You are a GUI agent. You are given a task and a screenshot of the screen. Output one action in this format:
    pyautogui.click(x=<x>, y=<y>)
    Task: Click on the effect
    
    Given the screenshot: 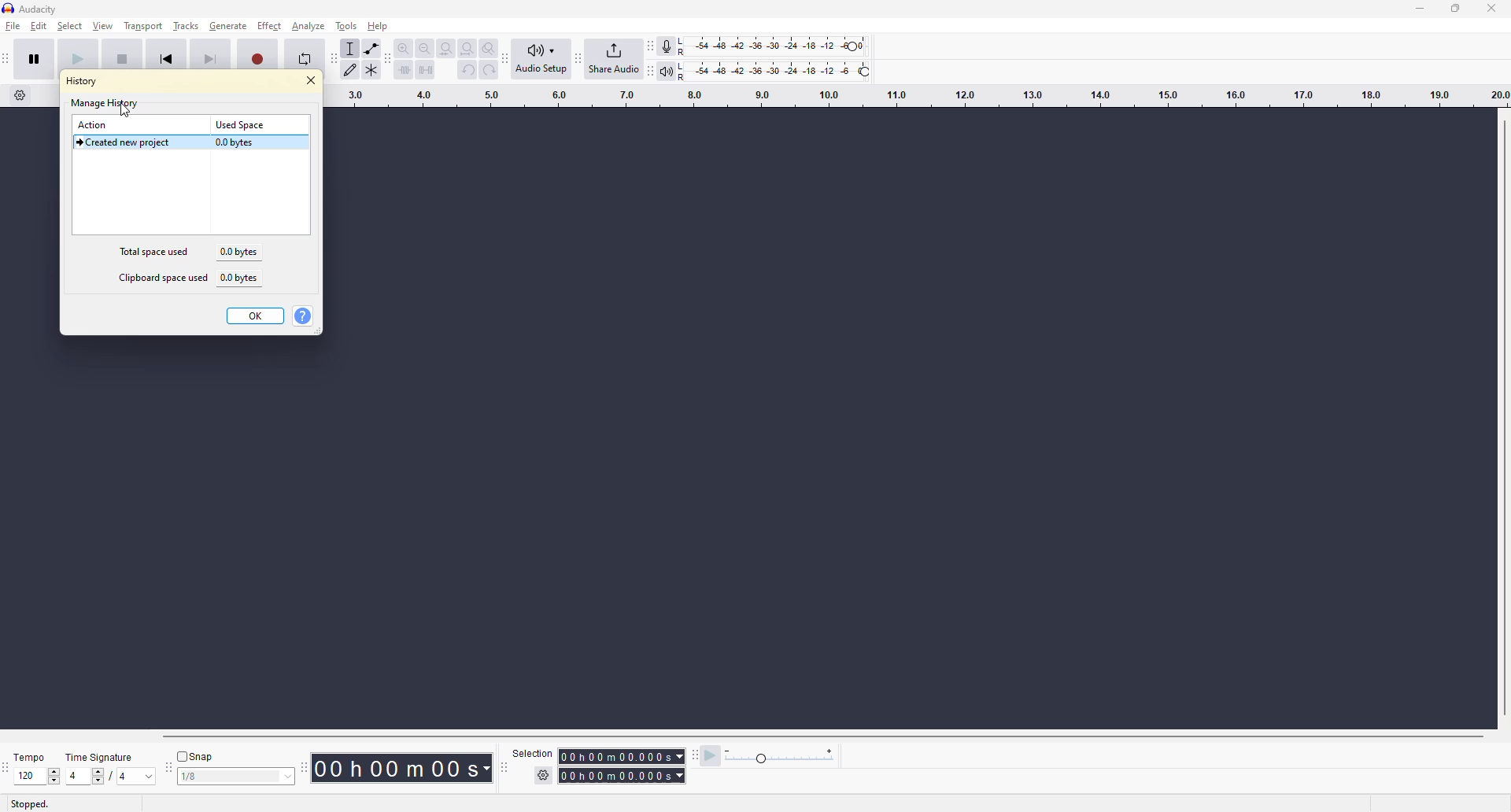 What is the action you would take?
    pyautogui.click(x=268, y=27)
    